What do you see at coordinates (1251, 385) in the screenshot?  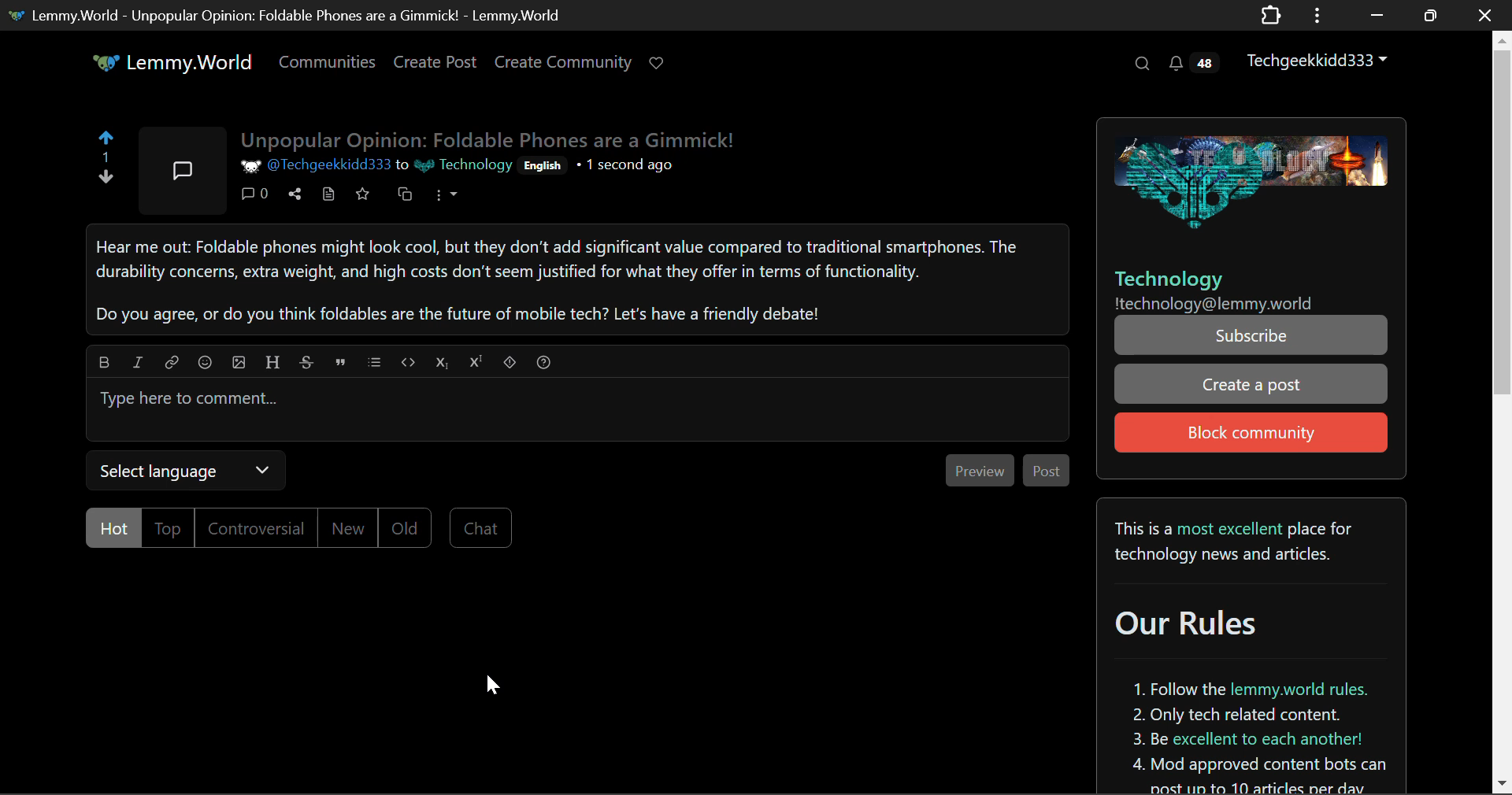 I see `Create a post Button` at bounding box center [1251, 385].